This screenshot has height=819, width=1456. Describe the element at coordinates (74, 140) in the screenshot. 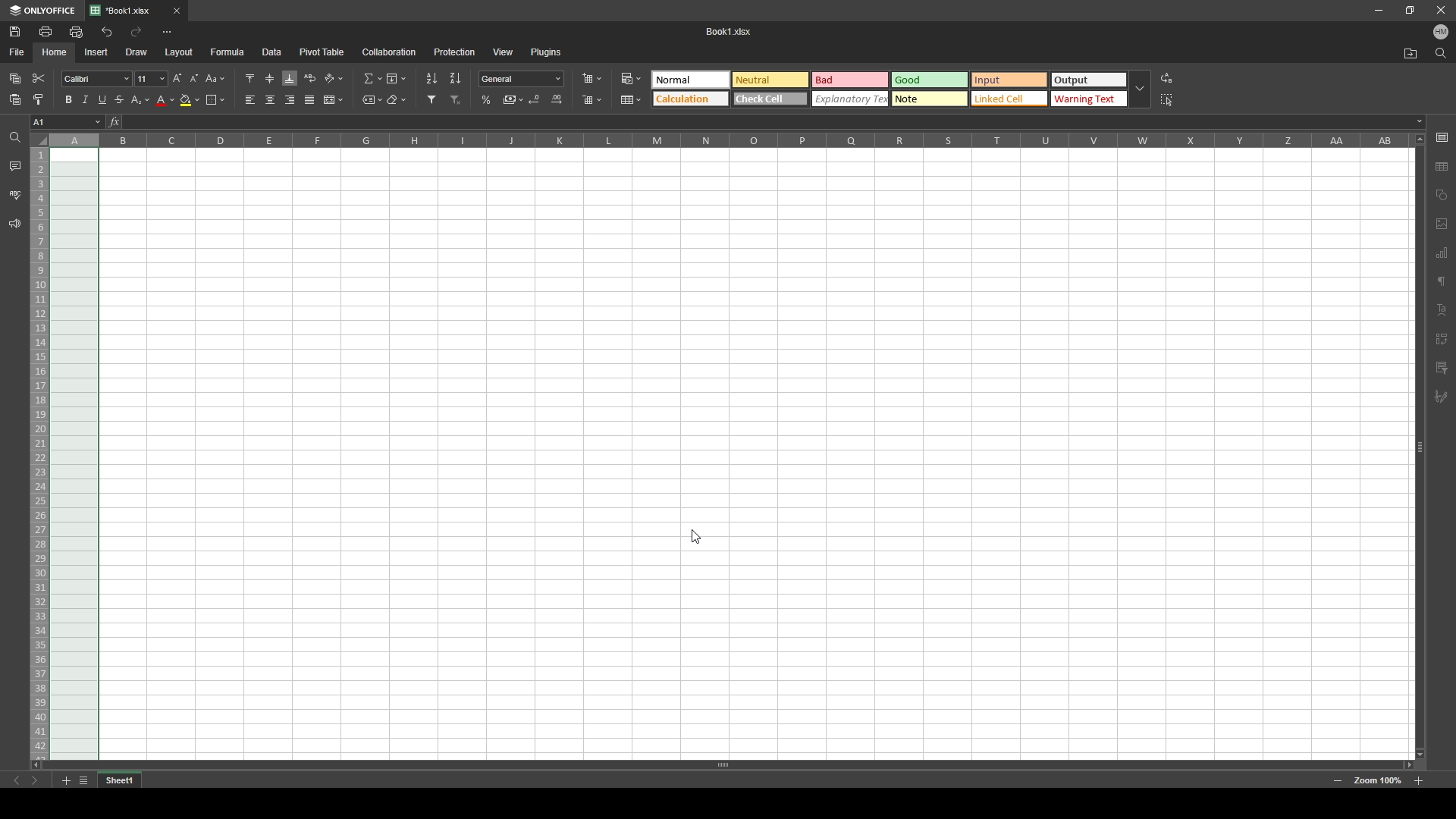

I see `selected column` at that location.